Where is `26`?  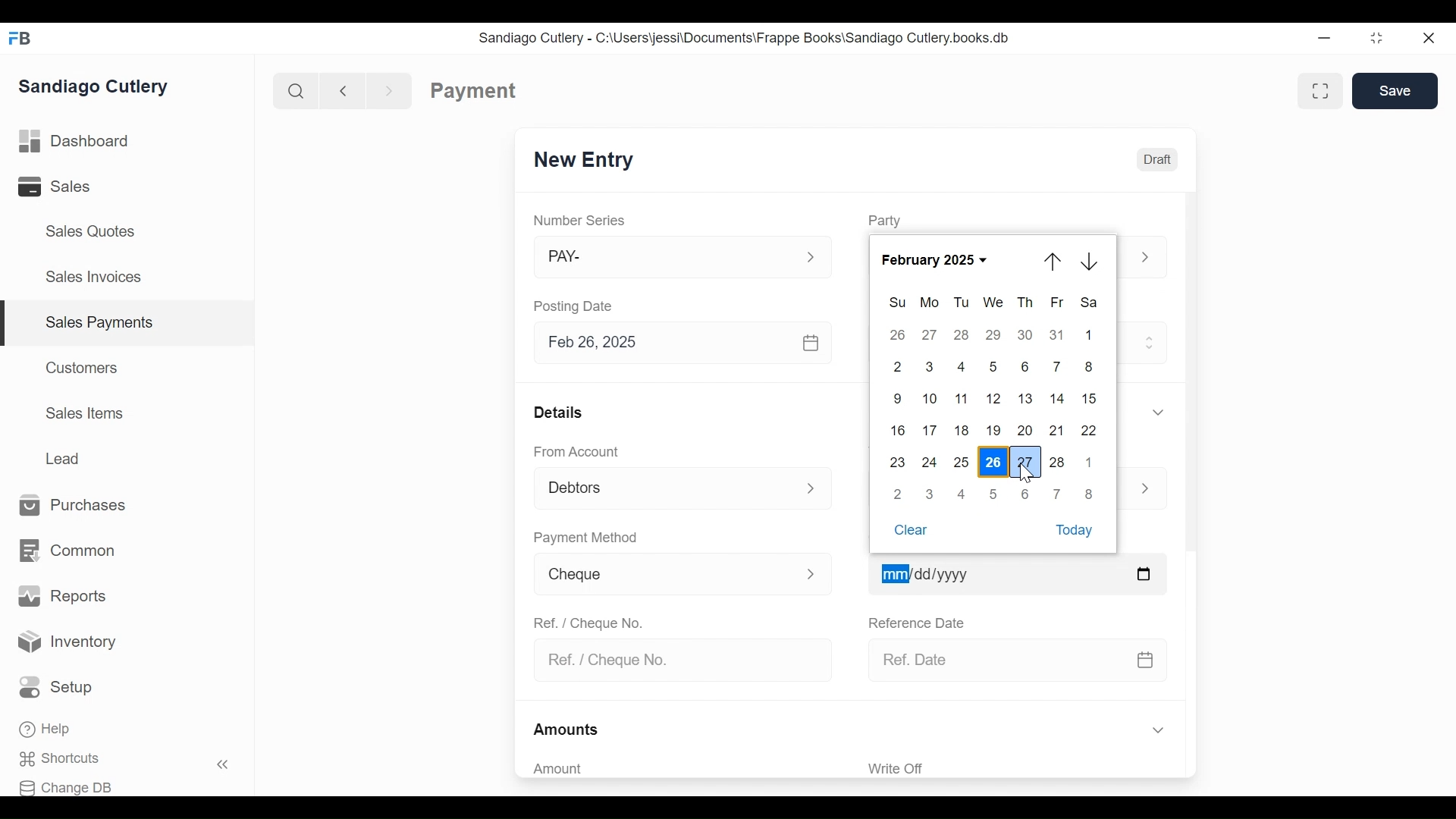
26 is located at coordinates (993, 463).